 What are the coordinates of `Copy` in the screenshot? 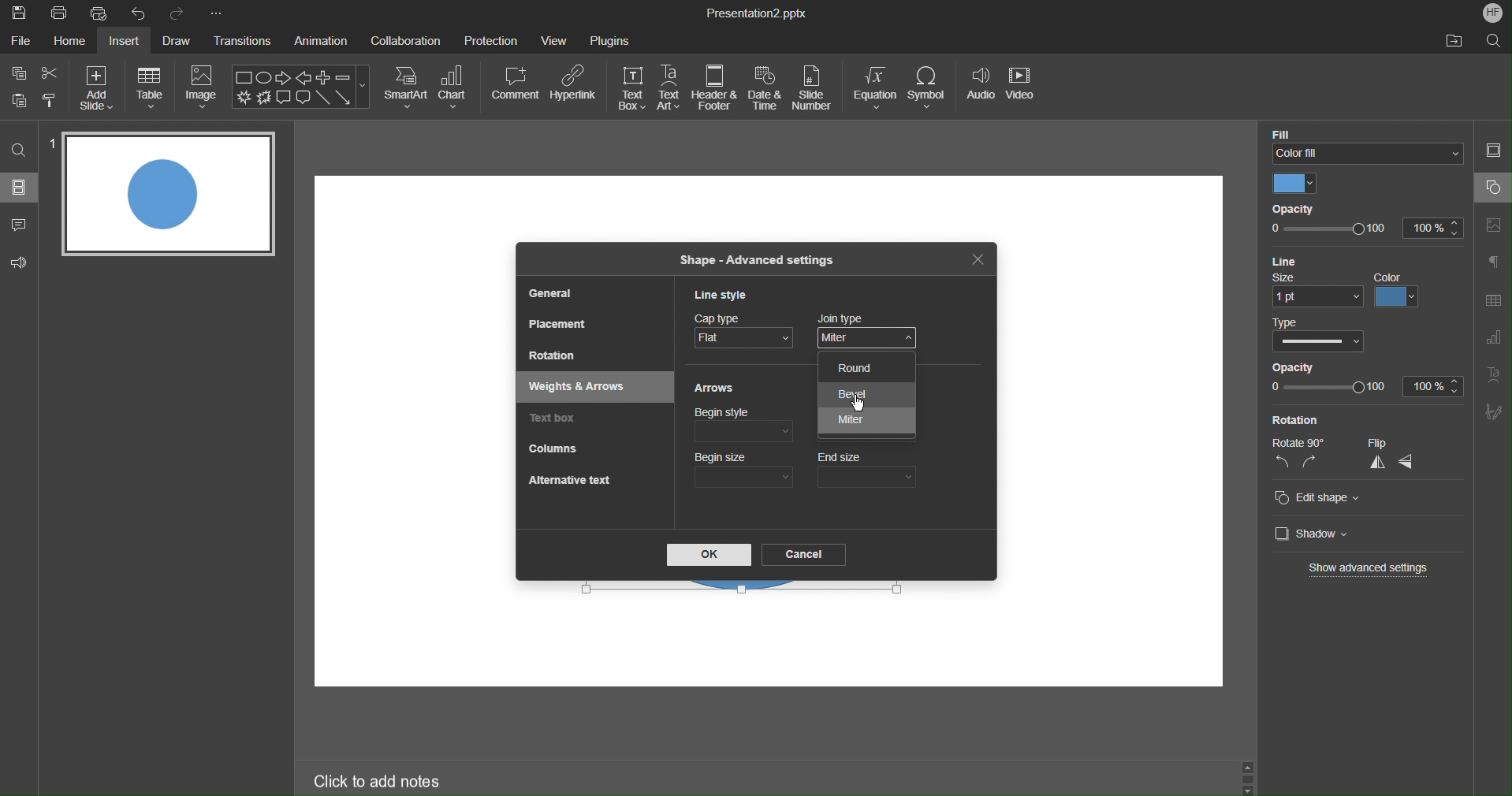 It's located at (17, 73).